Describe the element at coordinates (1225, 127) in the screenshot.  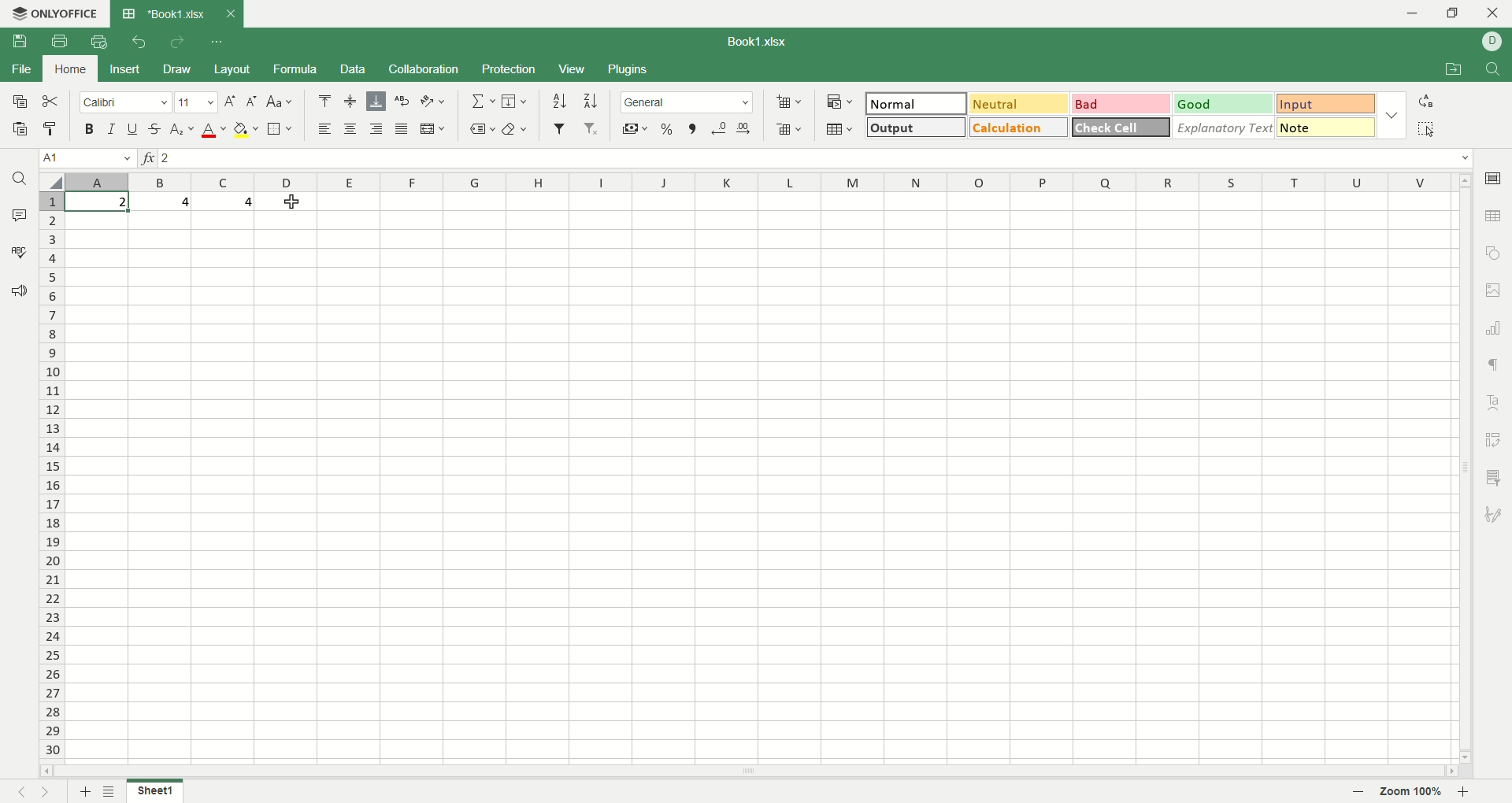
I see `explanatory text` at that location.